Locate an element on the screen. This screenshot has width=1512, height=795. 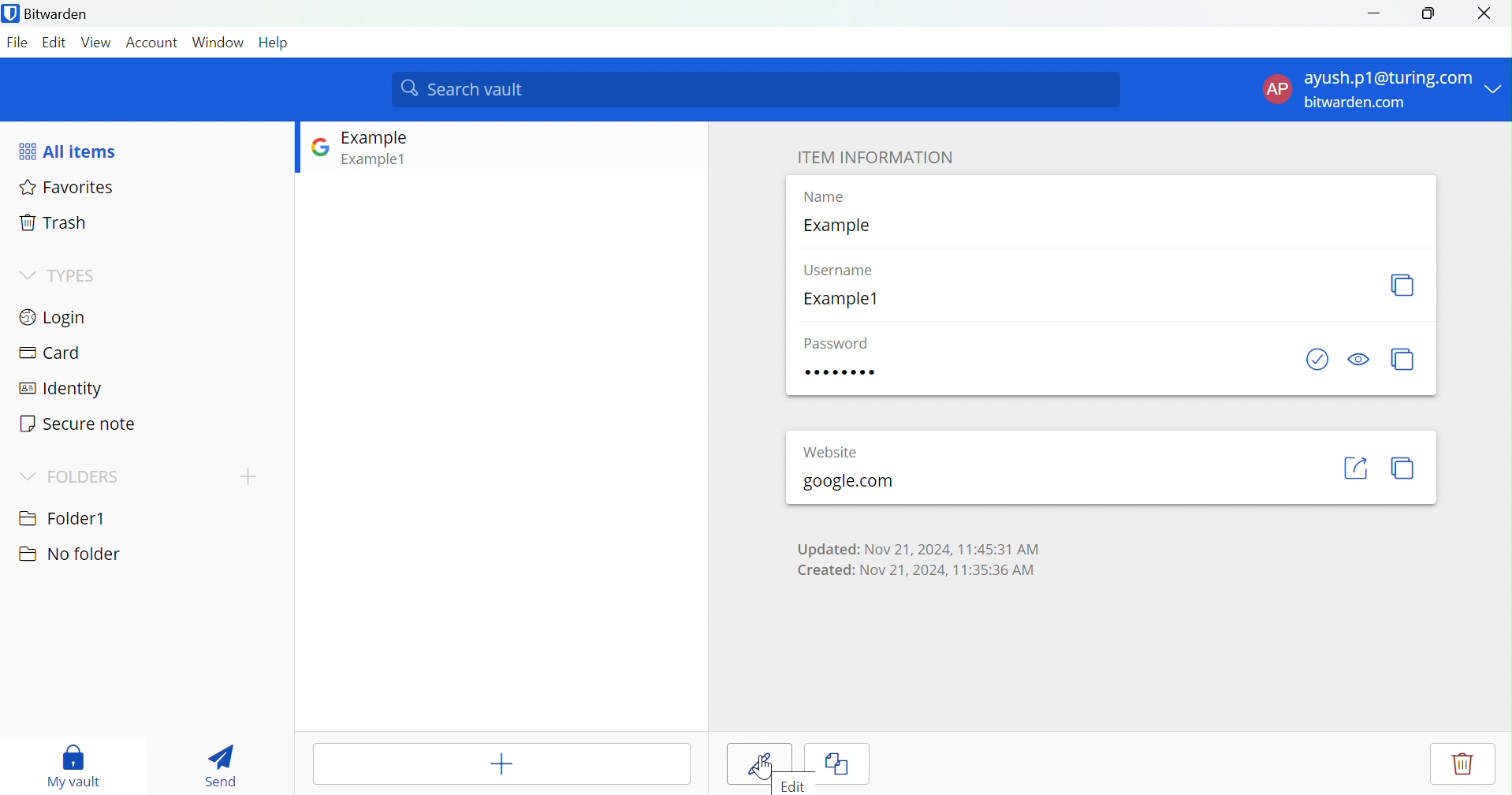
Favorites is located at coordinates (69, 189).